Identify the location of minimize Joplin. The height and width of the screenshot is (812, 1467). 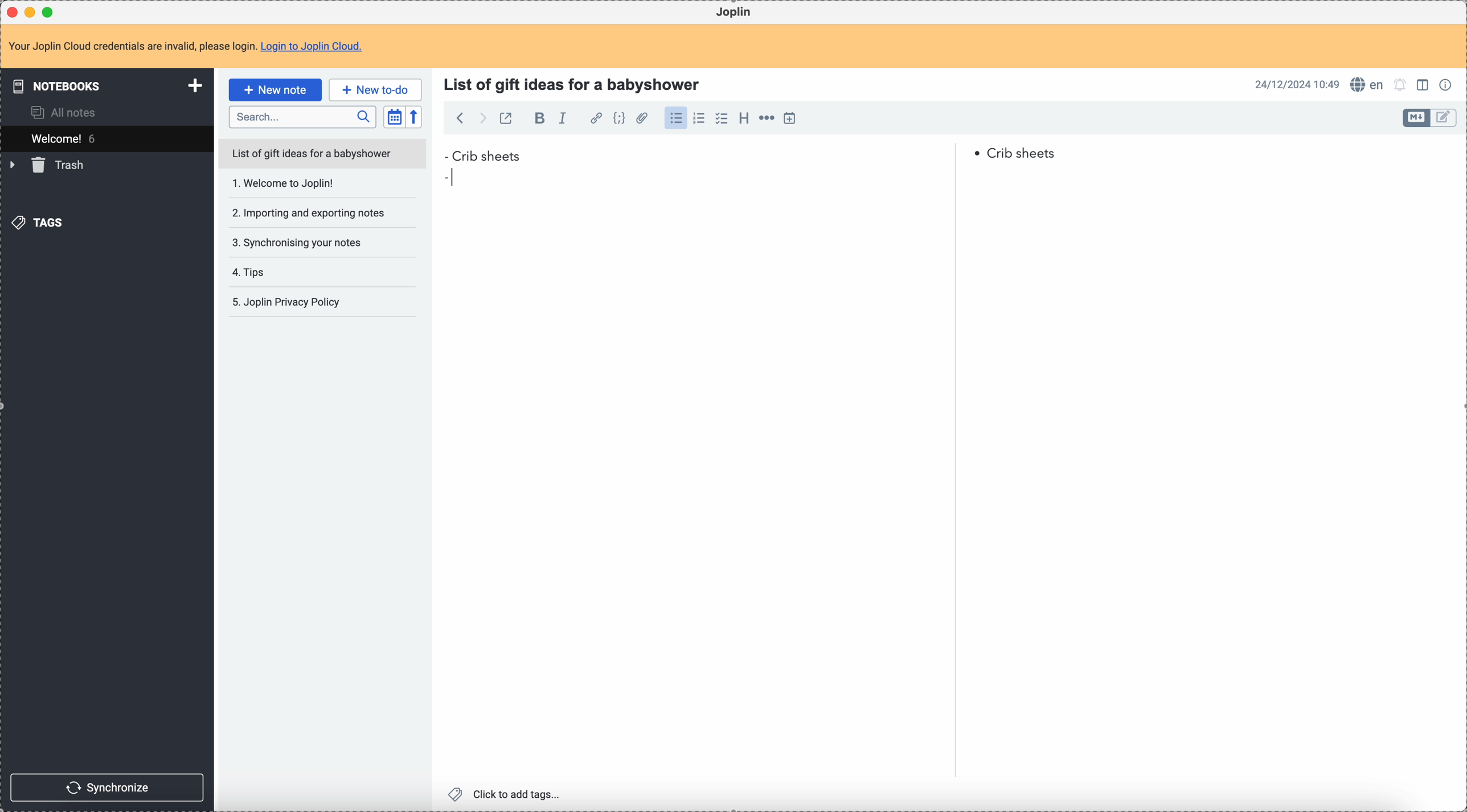
(32, 12).